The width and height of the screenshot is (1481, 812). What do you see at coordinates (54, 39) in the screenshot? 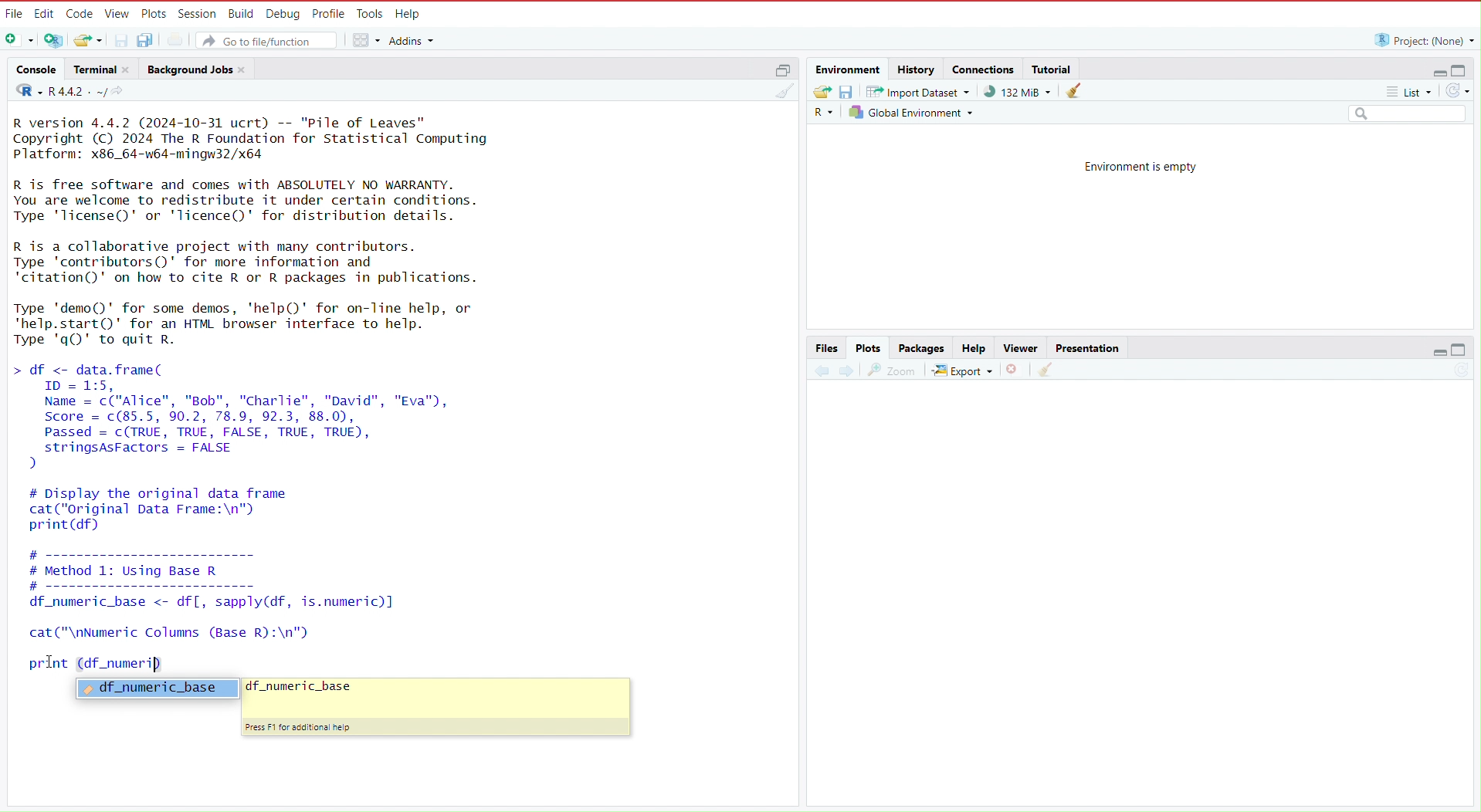
I see `create a project` at bounding box center [54, 39].